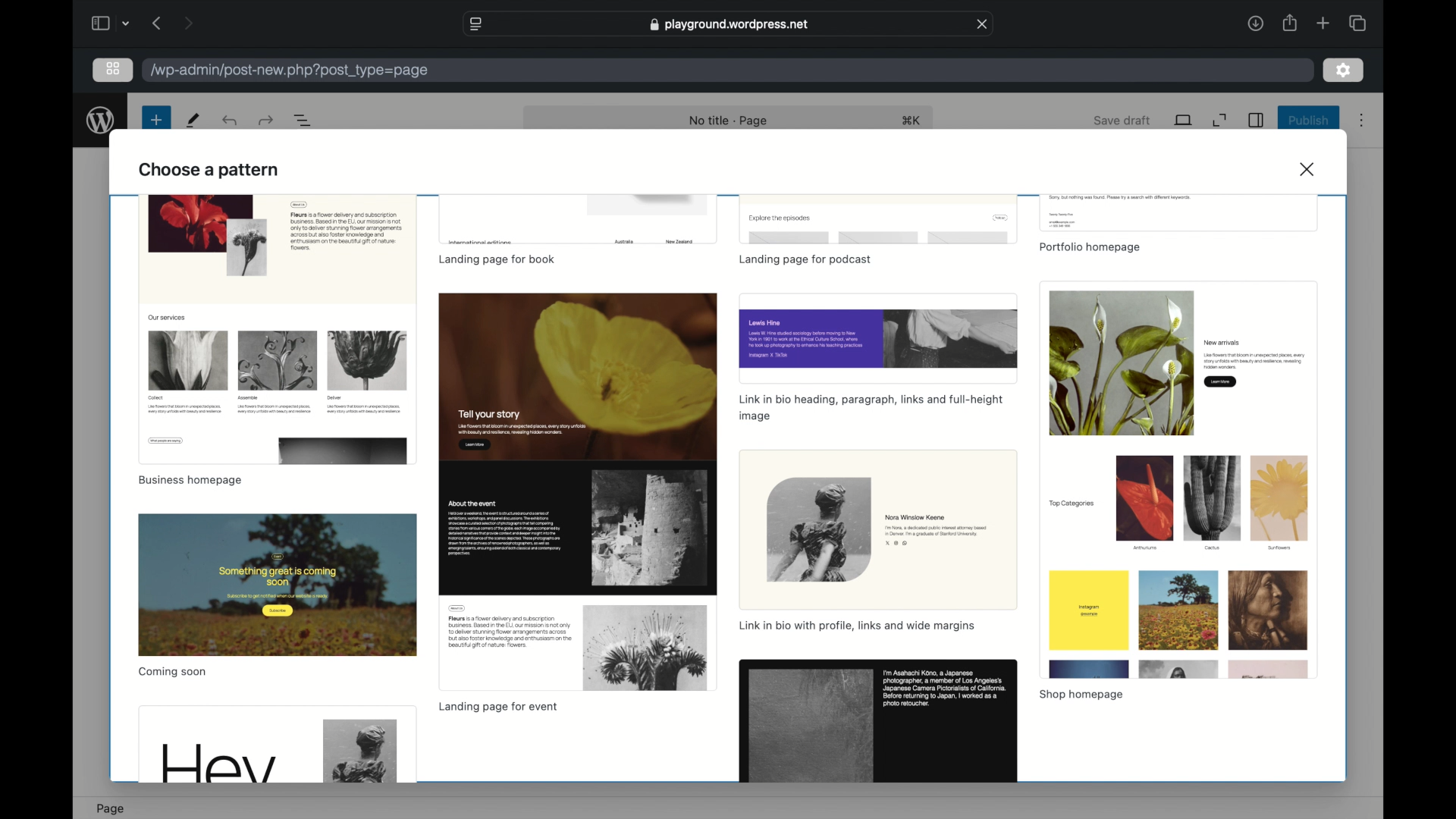 This screenshot has height=819, width=1456. Describe the element at coordinates (497, 708) in the screenshot. I see `template name` at that location.